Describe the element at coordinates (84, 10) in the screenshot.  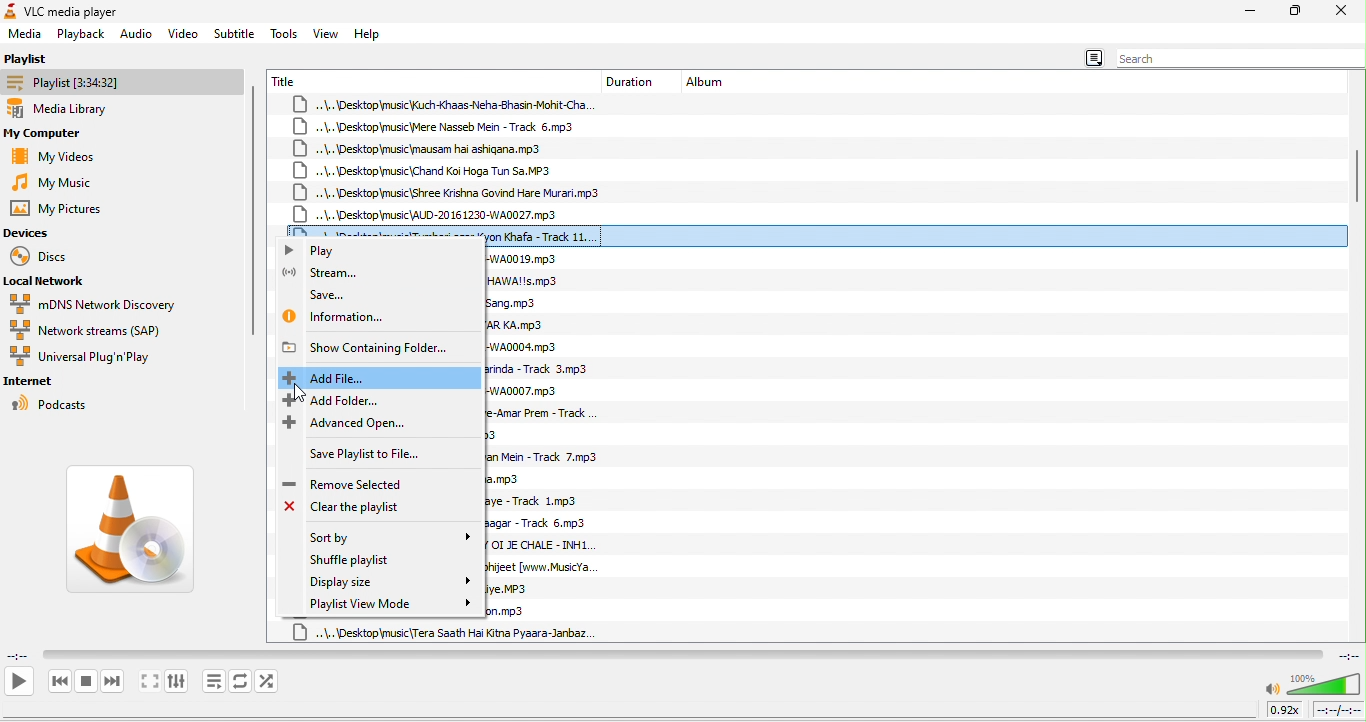
I see `VLC media player` at that location.